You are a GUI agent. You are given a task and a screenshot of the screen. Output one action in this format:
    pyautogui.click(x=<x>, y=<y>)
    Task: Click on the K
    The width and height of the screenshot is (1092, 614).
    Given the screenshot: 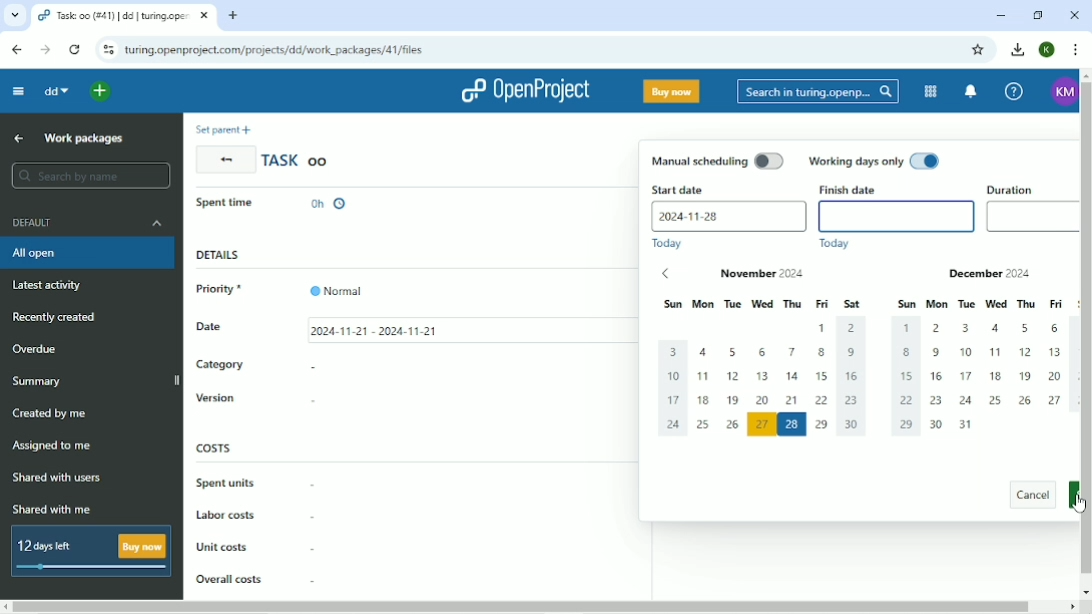 What is the action you would take?
    pyautogui.click(x=1047, y=50)
    